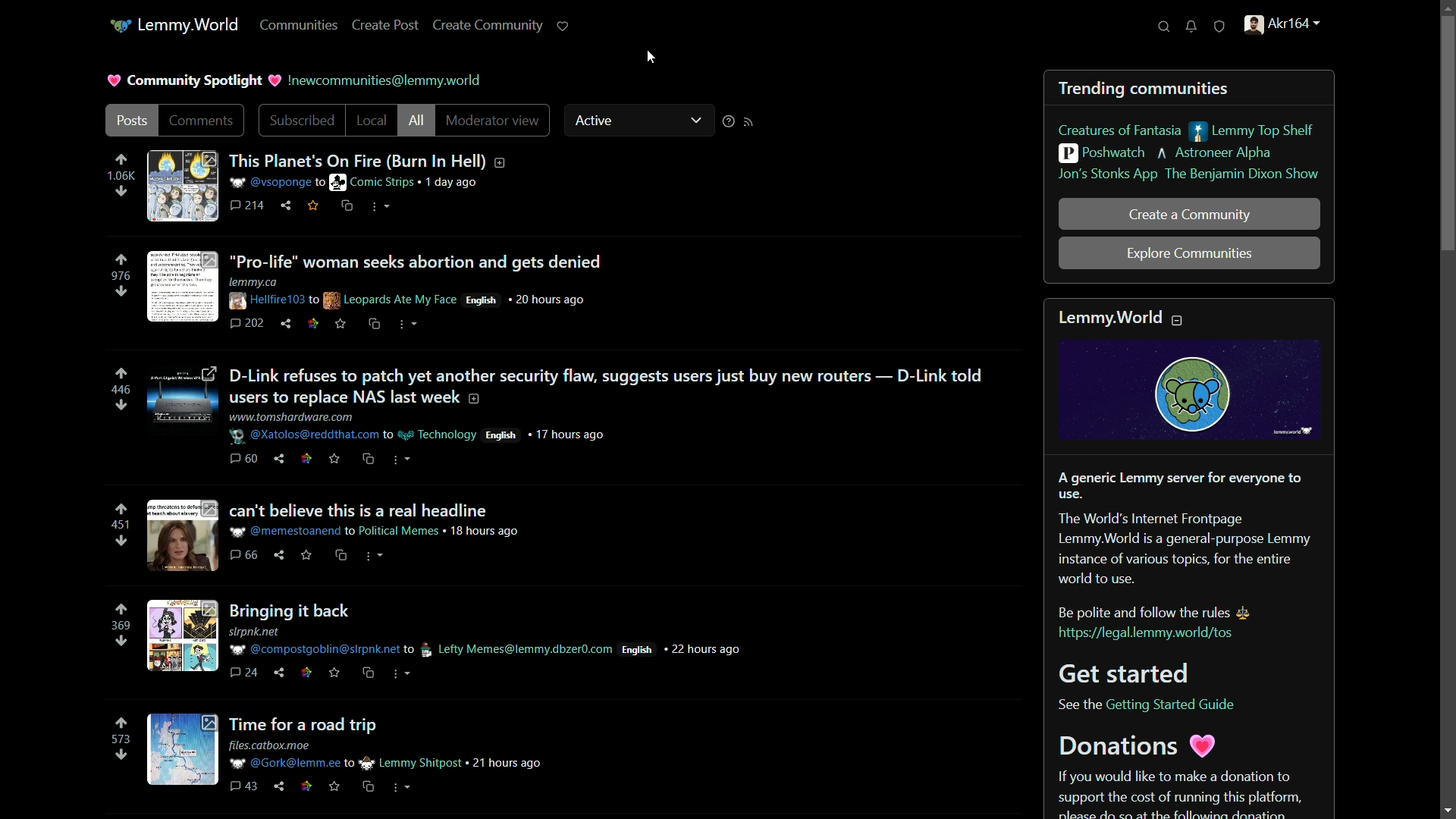  Describe the element at coordinates (379, 206) in the screenshot. I see `more options` at that location.